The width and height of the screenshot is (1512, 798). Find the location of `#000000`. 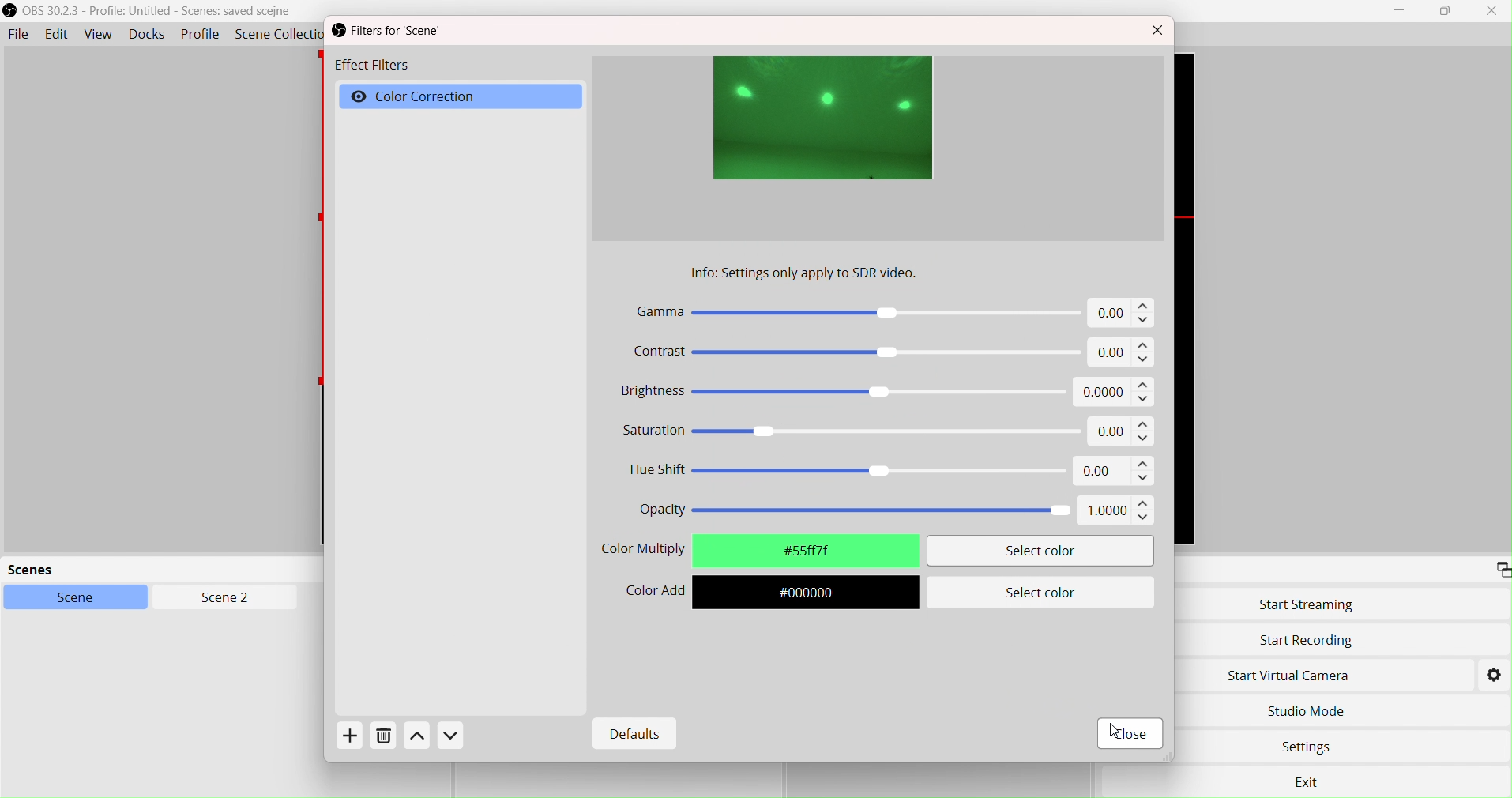

#000000 is located at coordinates (819, 594).